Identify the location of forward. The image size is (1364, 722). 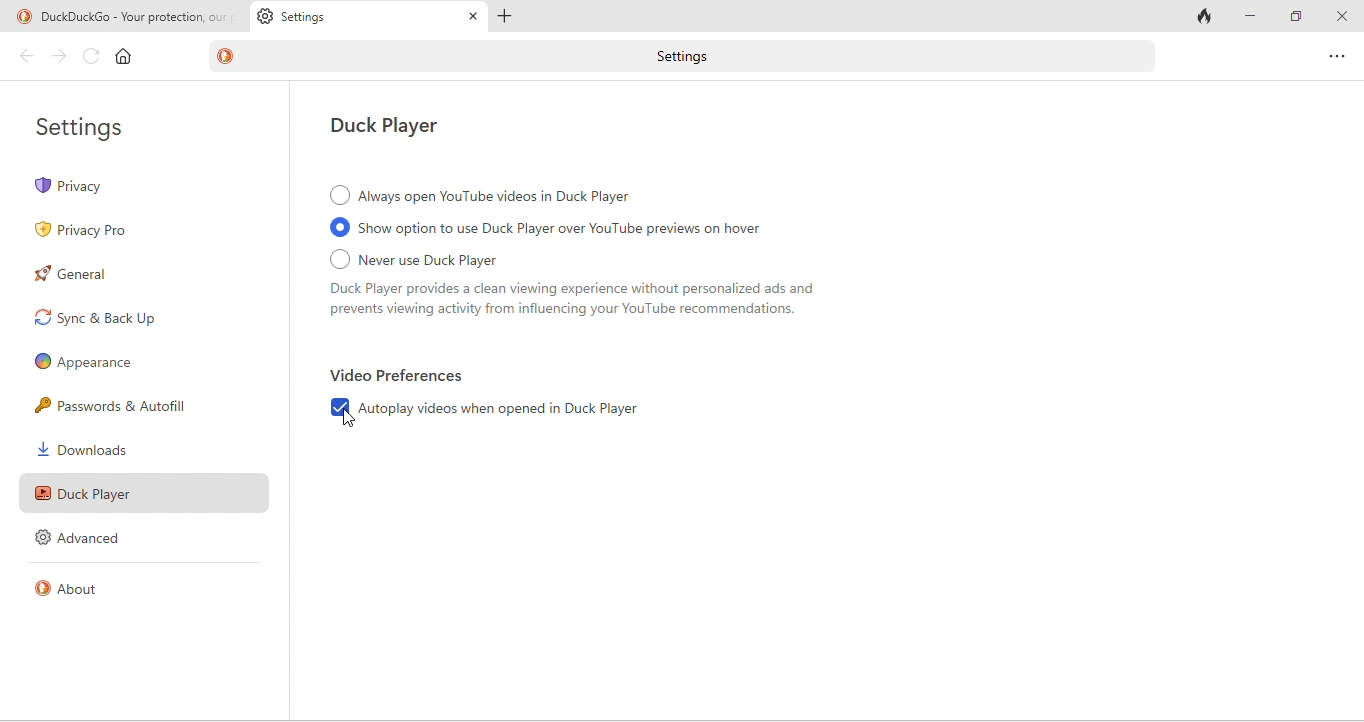
(61, 58).